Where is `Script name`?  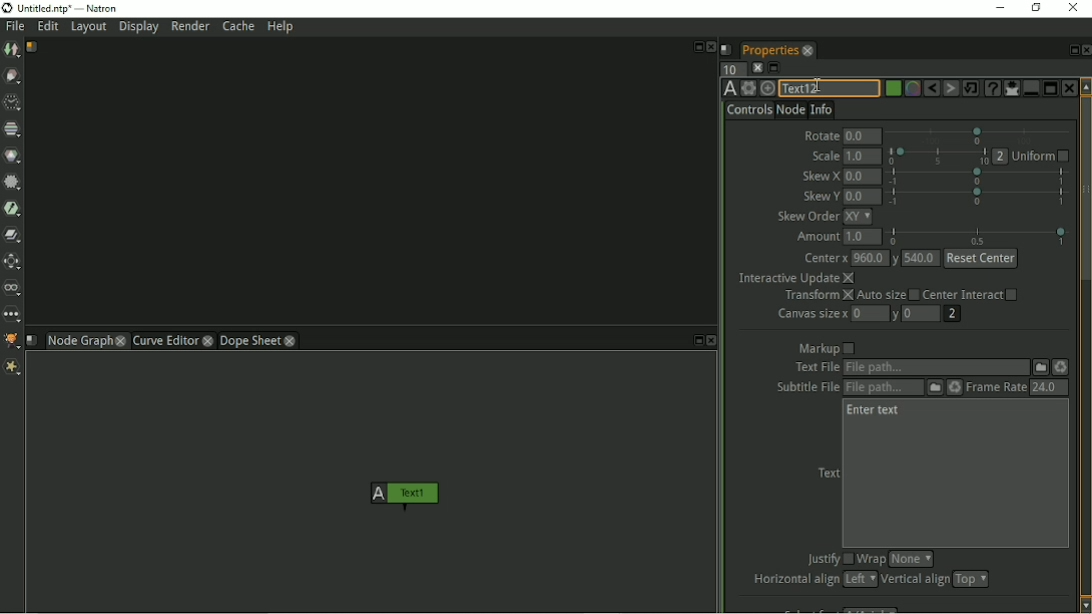
Script name is located at coordinates (33, 47).